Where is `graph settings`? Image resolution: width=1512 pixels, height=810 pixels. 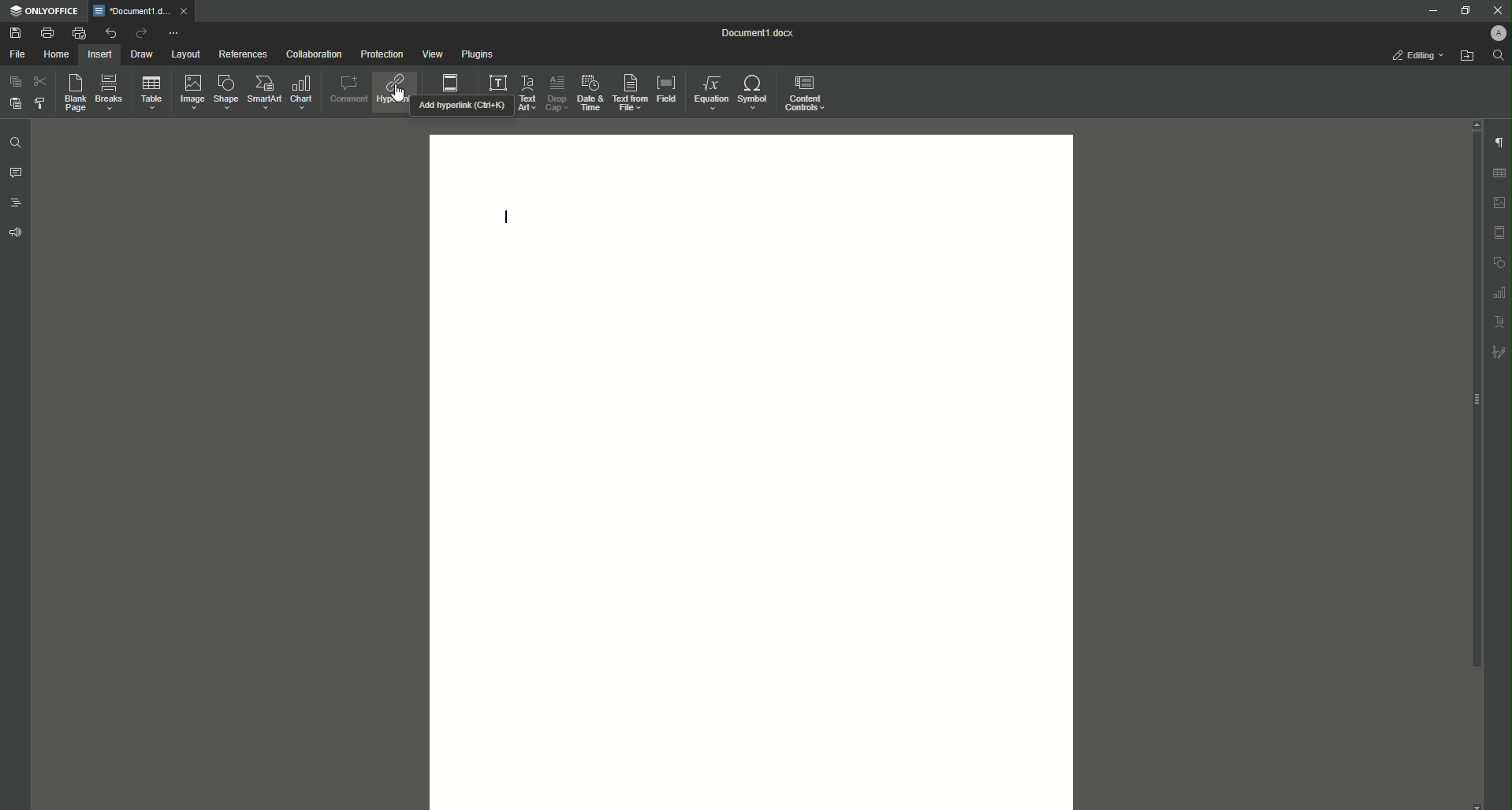
graph settings is located at coordinates (1501, 292).